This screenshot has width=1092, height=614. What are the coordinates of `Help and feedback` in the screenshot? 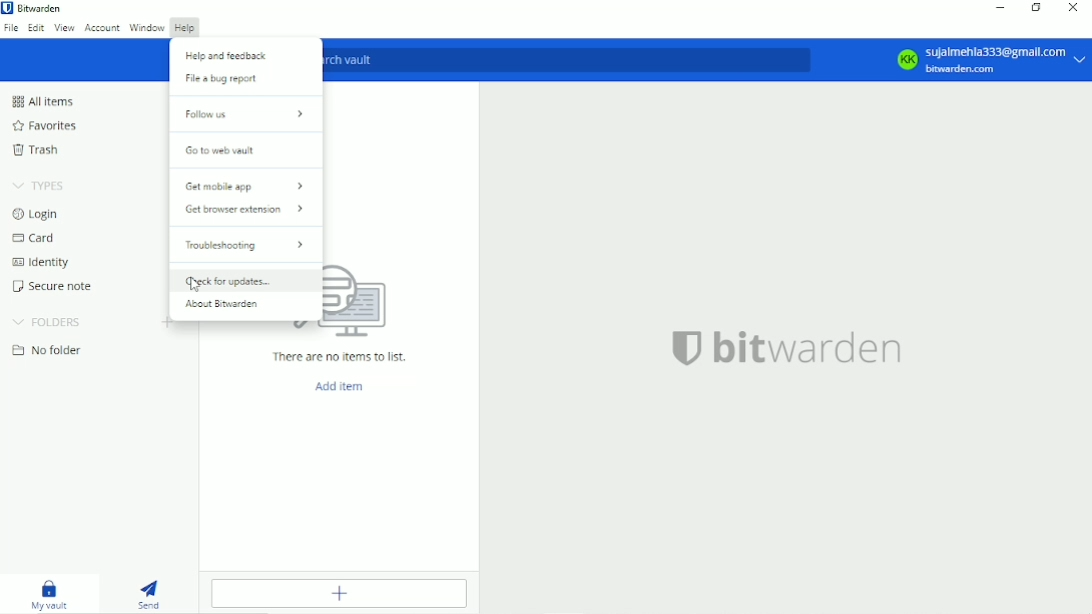 It's located at (228, 57).